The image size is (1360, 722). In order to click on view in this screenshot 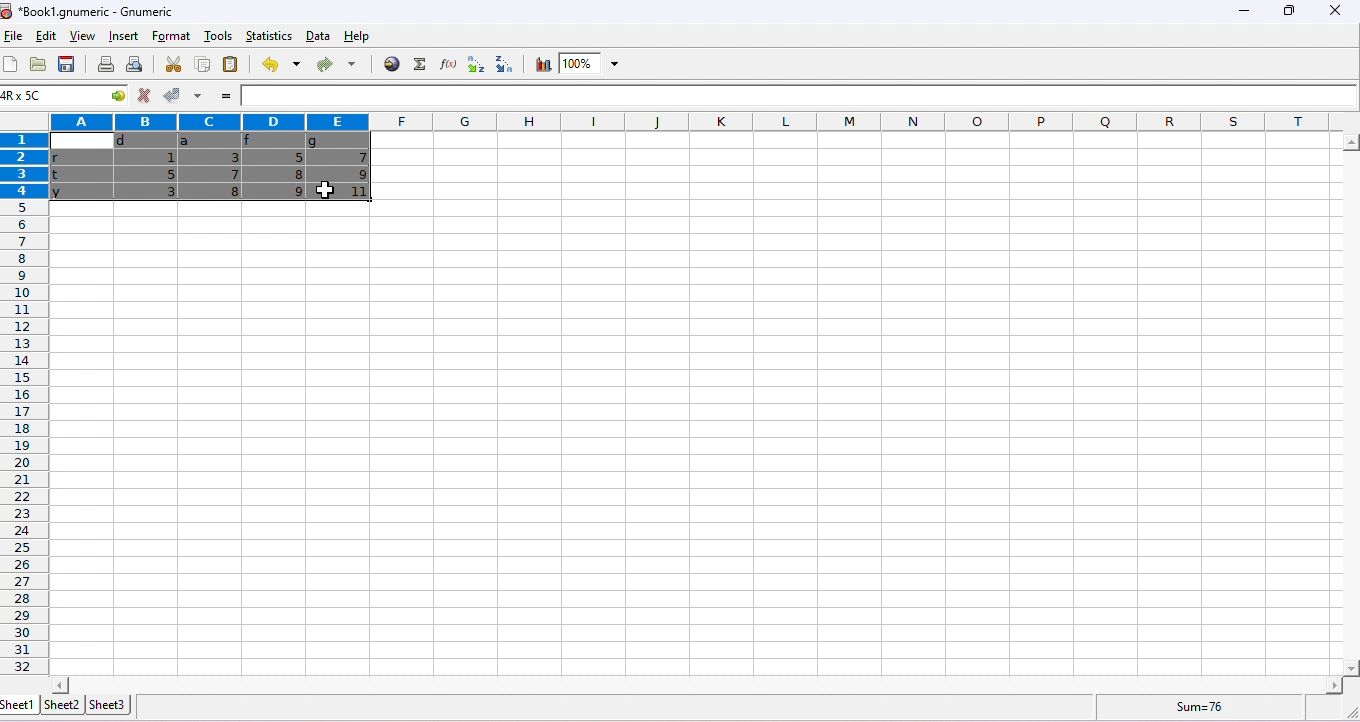, I will do `click(80, 38)`.